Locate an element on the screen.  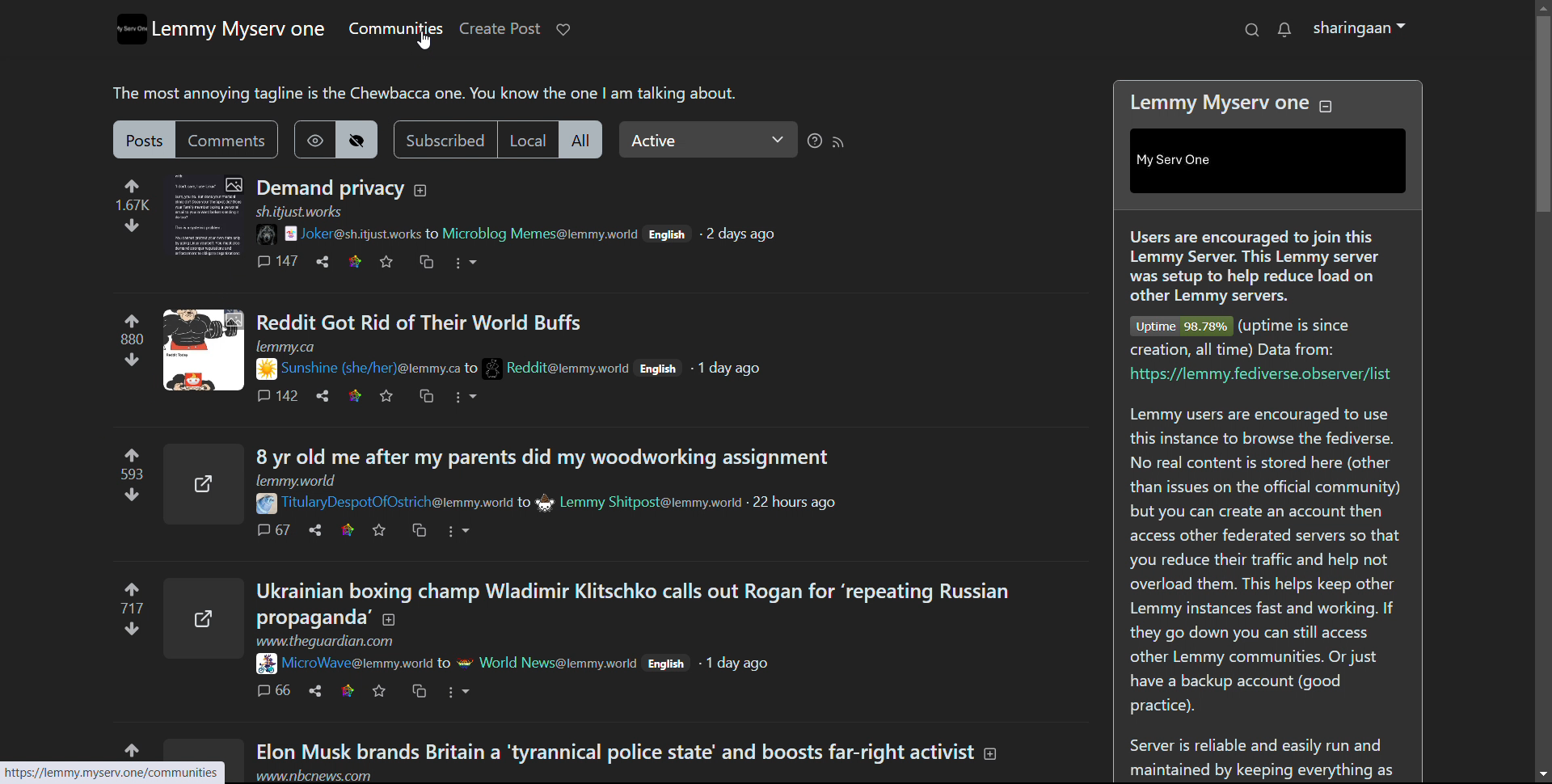
Post title - Demand privacy is located at coordinates (327, 187).